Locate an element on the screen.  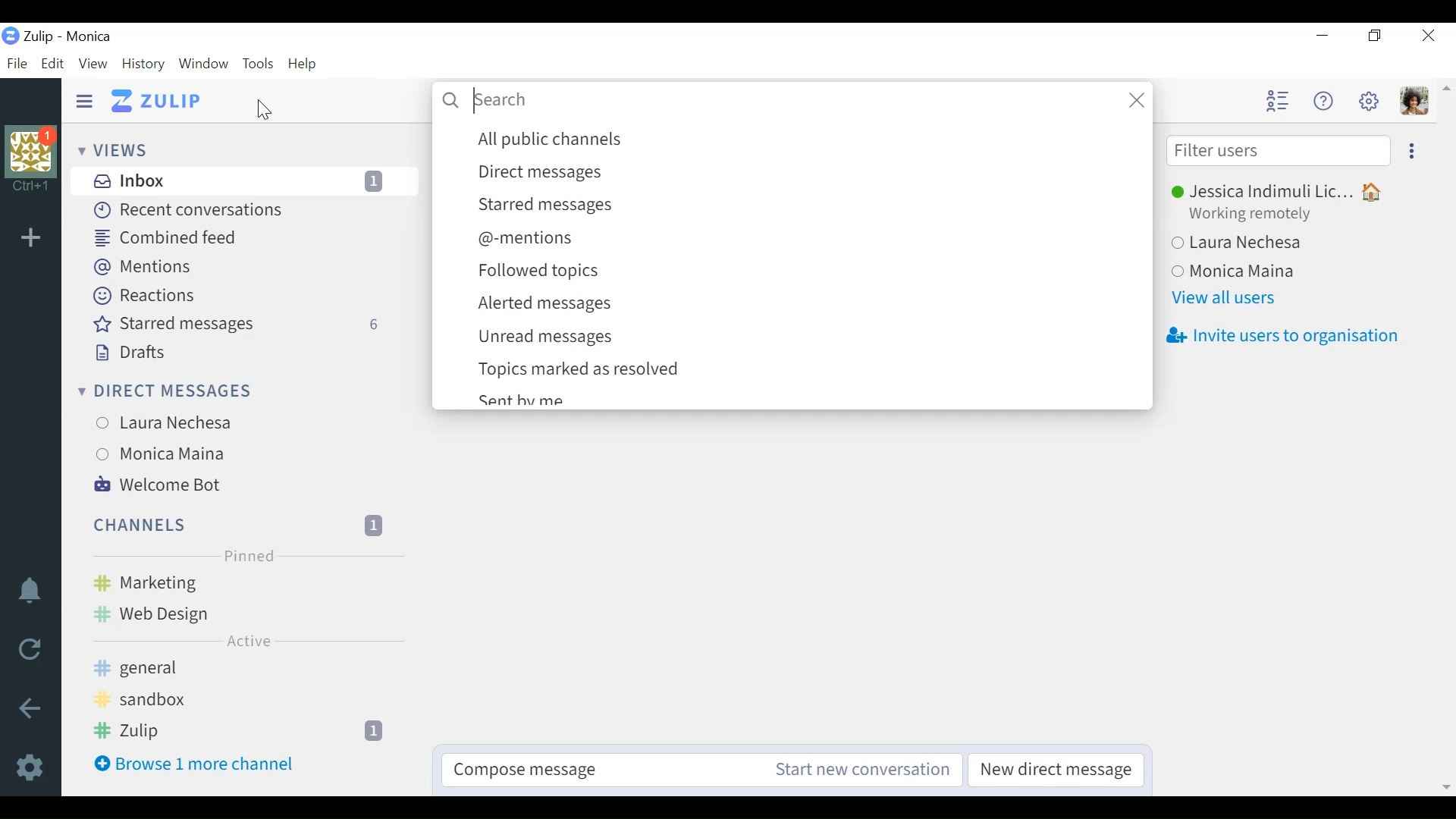
Help is located at coordinates (303, 63).